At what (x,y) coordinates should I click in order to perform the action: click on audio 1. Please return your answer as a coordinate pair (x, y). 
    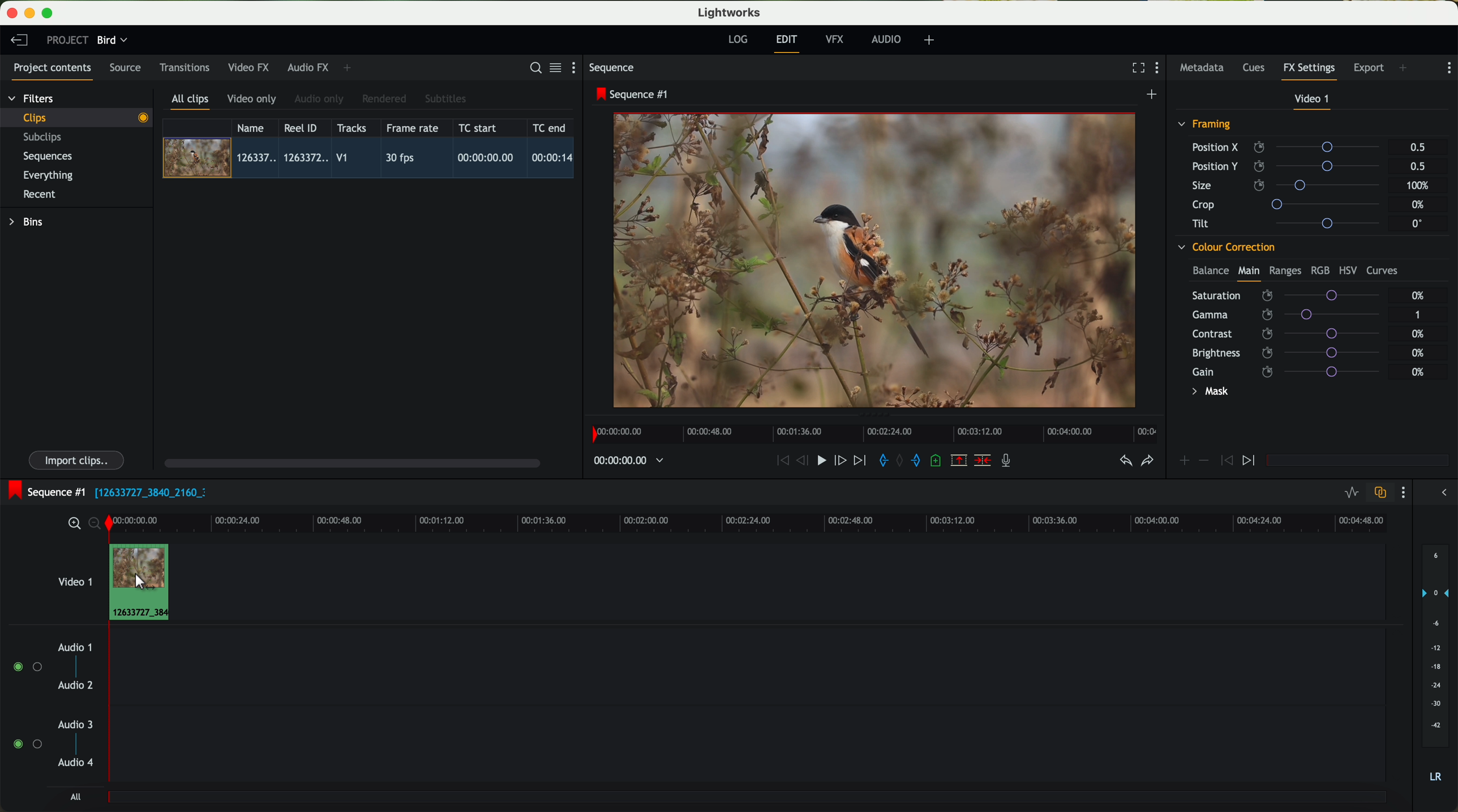
    Looking at the image, I should click on (75, 647).